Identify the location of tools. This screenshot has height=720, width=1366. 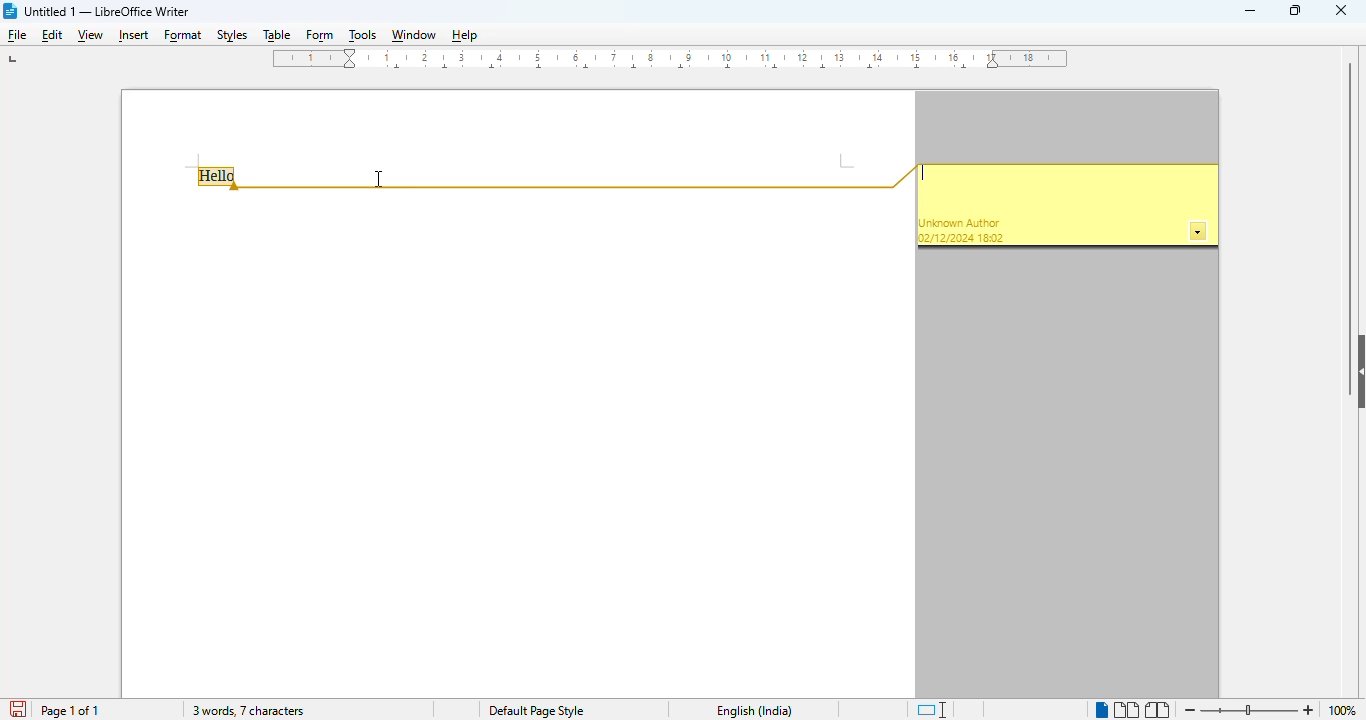
(363, 35).